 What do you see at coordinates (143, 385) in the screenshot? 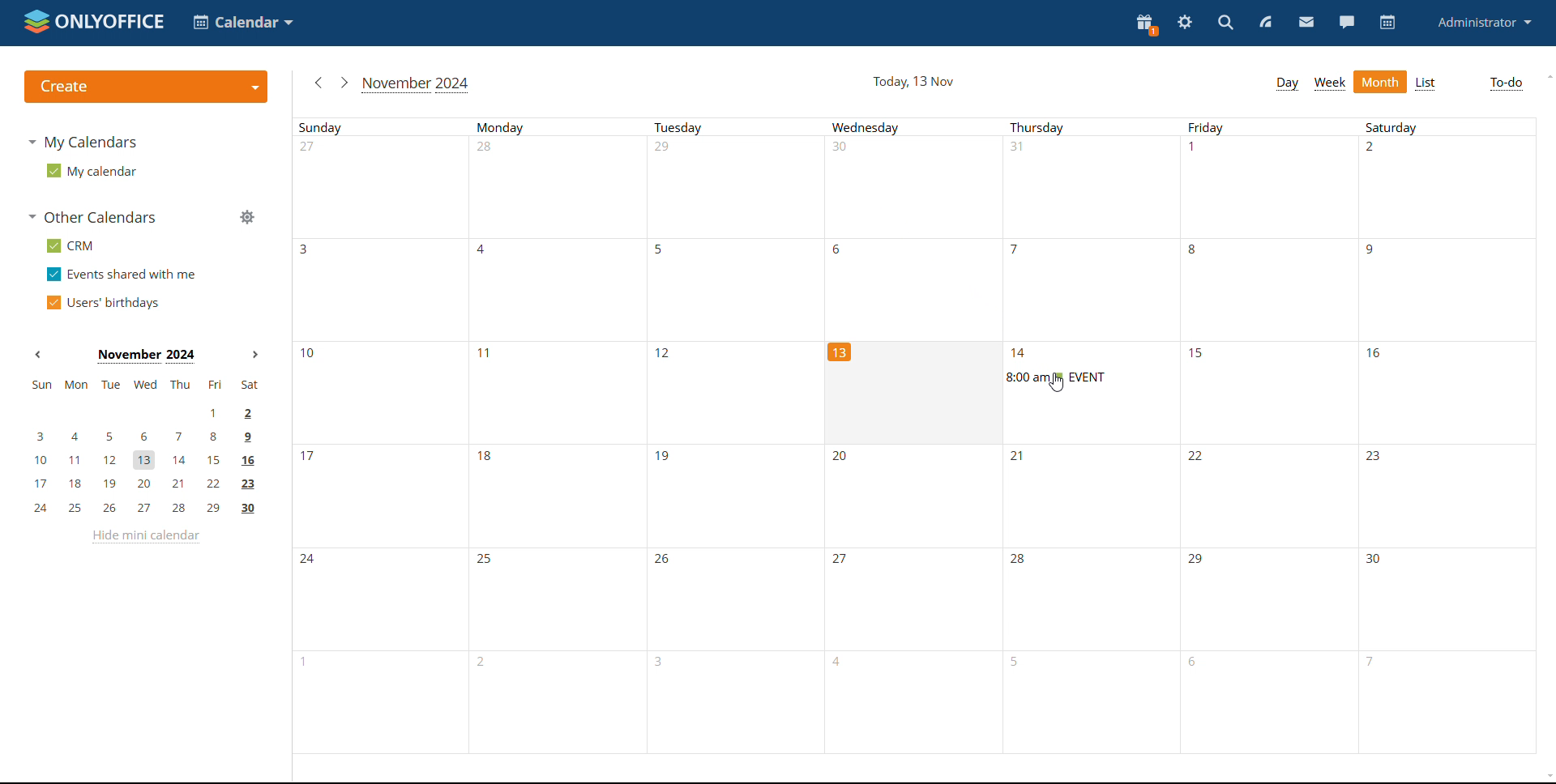
I see `sun, mon, tue, wed, thu, fri, sat` at bounding box center [143, 385].